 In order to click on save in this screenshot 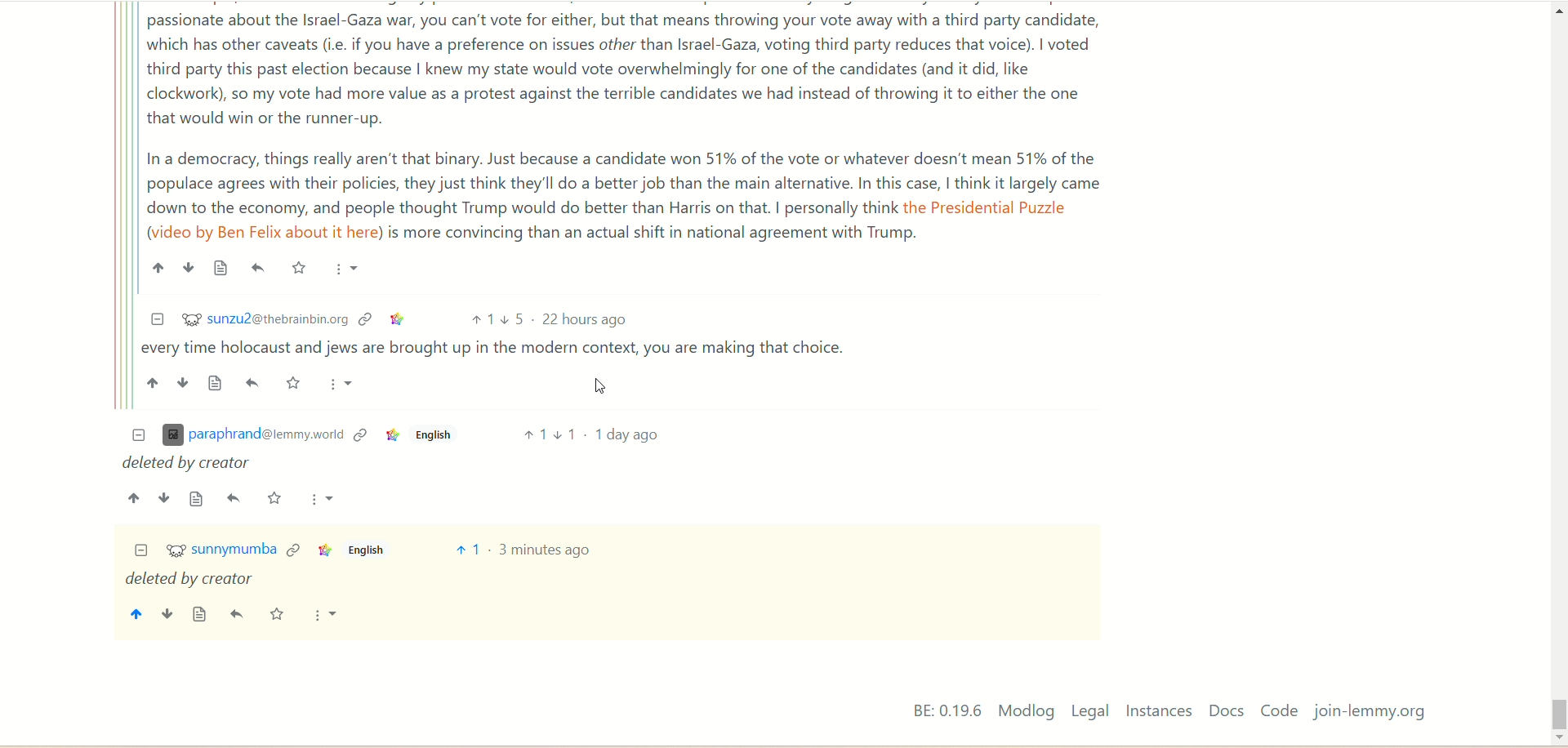, I will do `click(277, 616)`.